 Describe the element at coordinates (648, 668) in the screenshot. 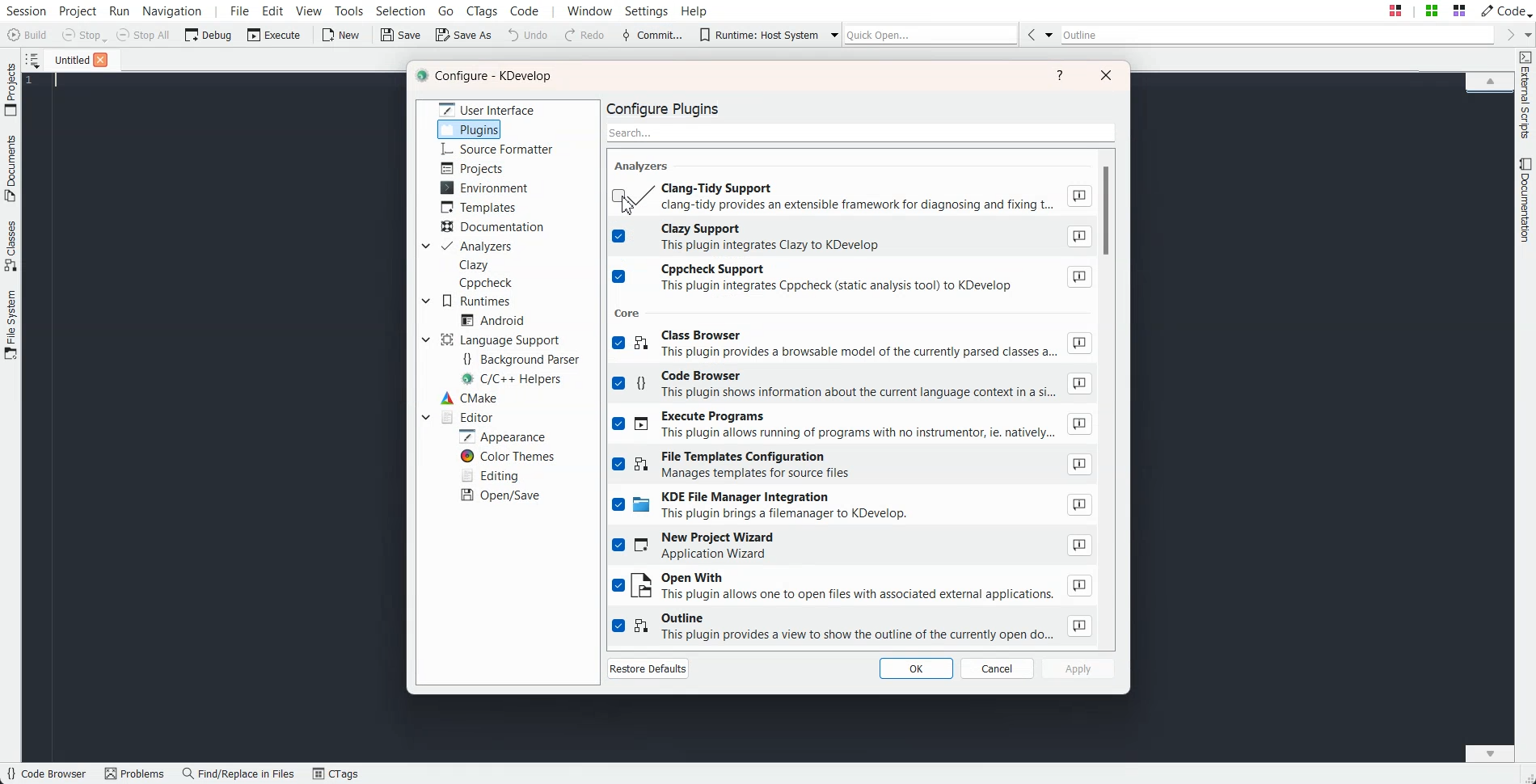

I see `Restore Default` at that location.